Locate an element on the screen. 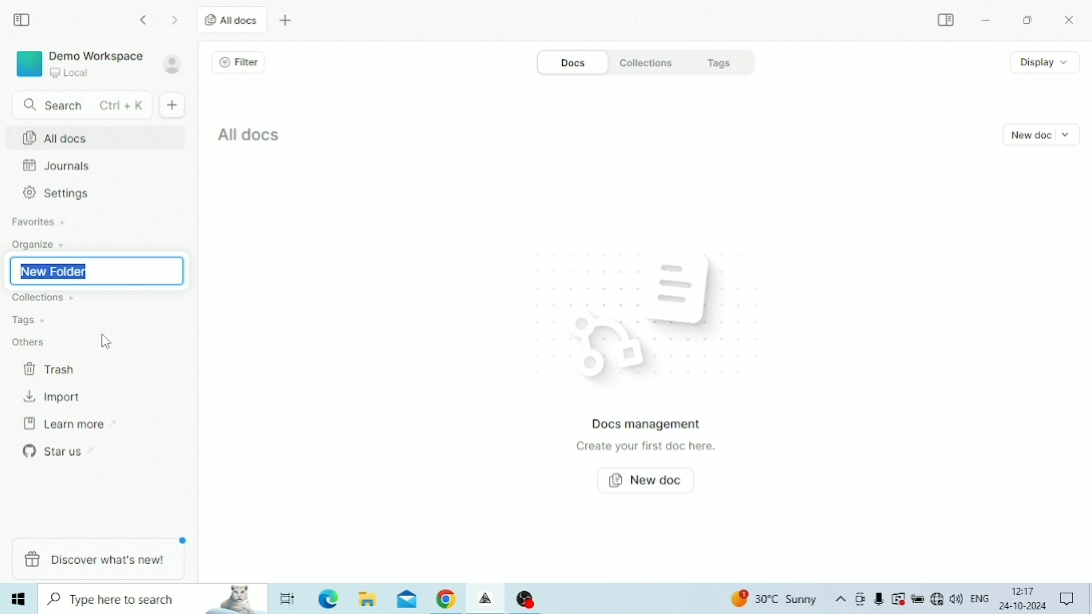 The height and width of the screenshot is (614, 1092). Tags is located at coordinates (730, 62).